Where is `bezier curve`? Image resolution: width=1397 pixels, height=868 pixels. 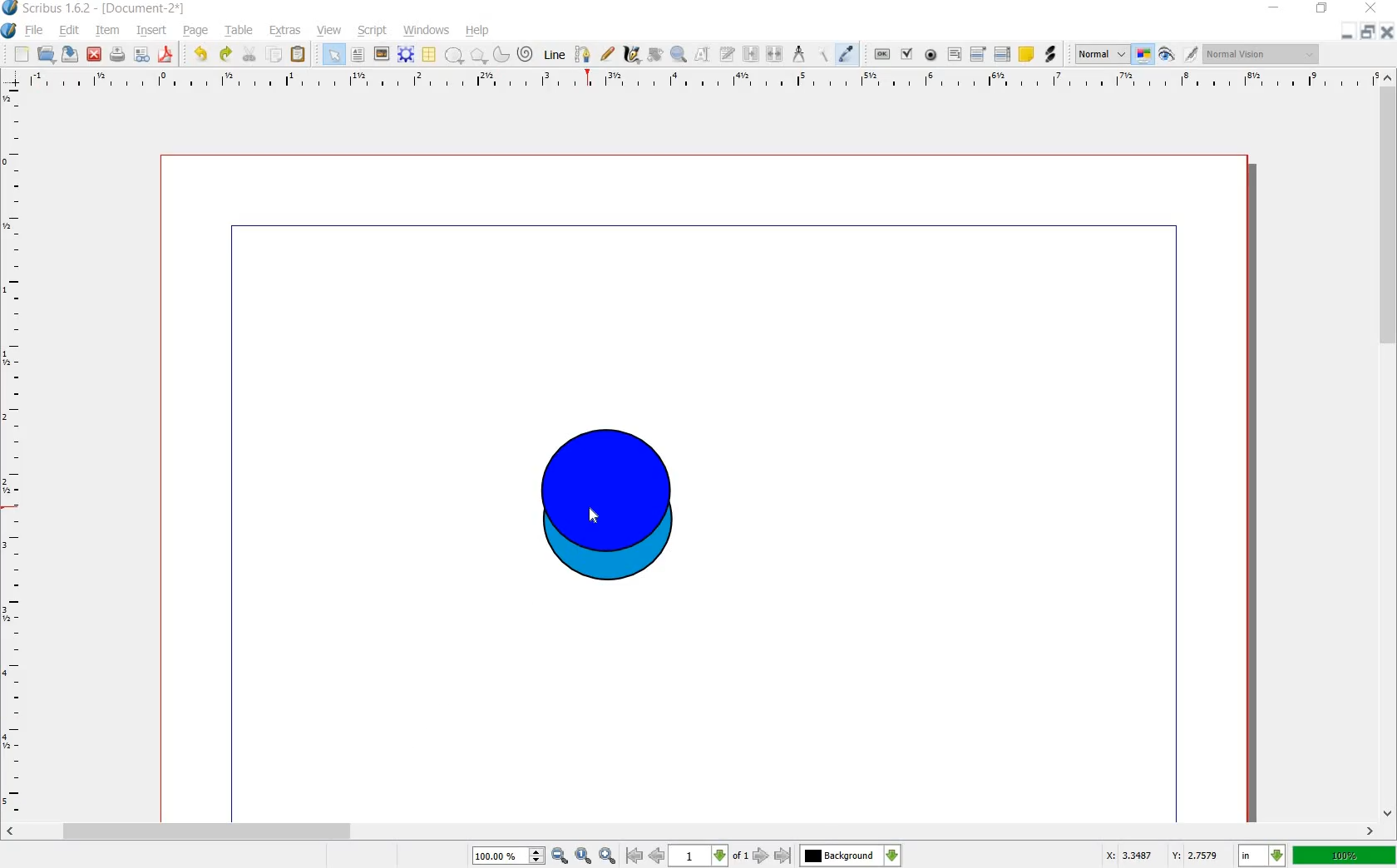
bezier curve is located at coordinates (583, 55).